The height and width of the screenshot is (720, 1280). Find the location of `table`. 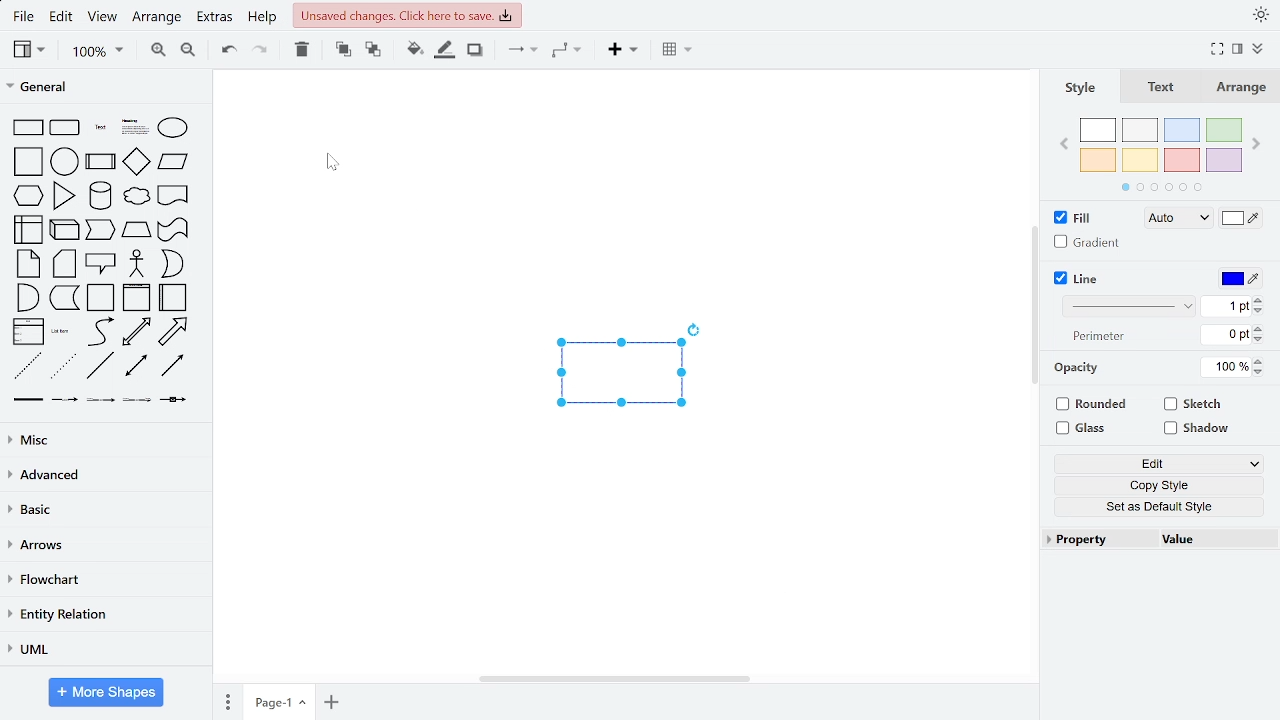

table is located at coordinates (680, 51).